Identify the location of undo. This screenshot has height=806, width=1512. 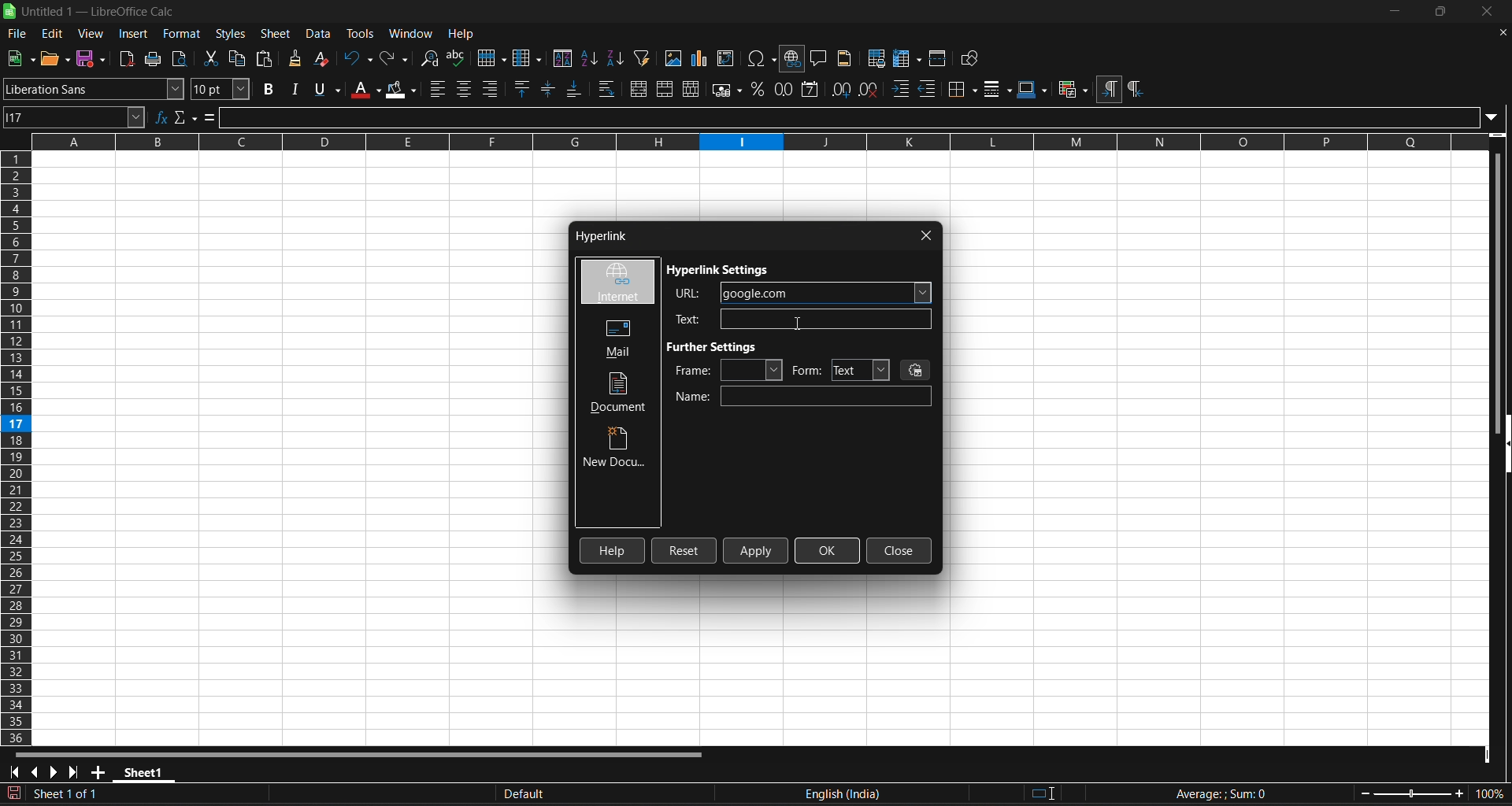
(358, 58).